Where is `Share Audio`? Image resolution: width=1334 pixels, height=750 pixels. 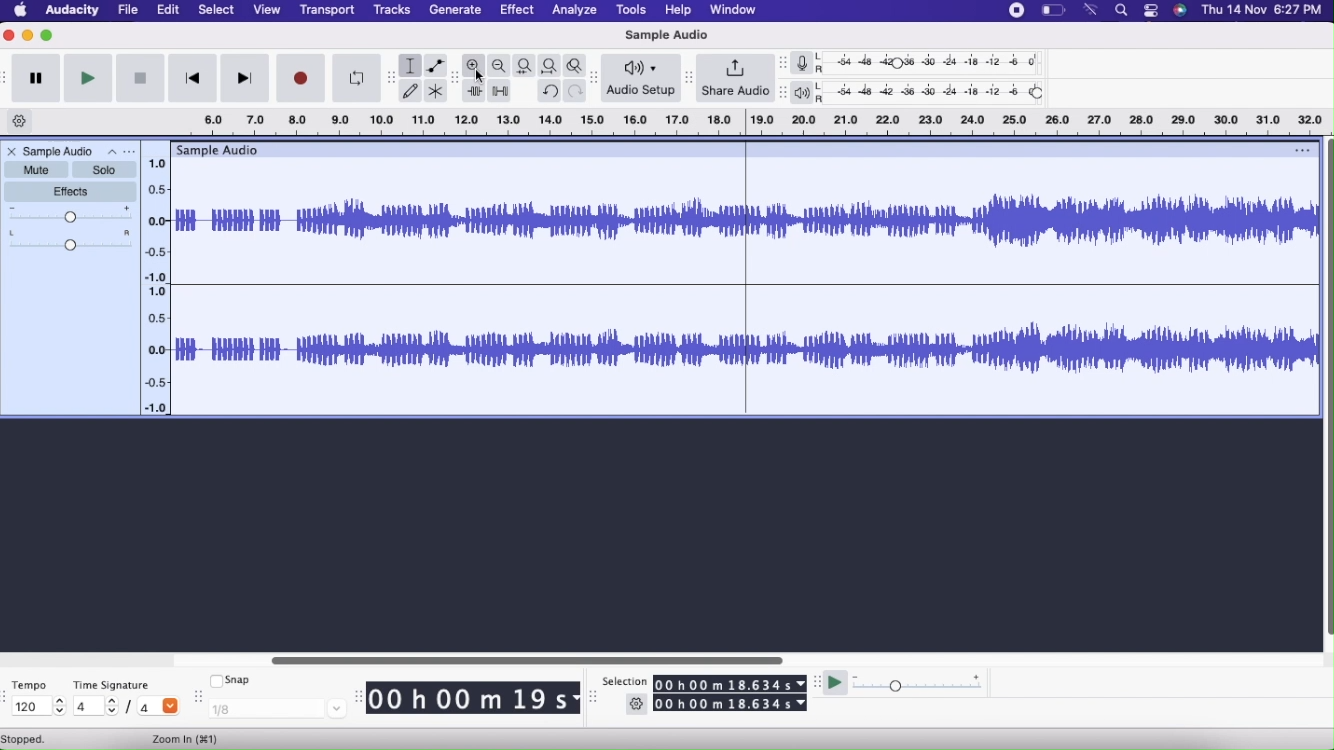
Share Audio is located at coordinates (735, 78).